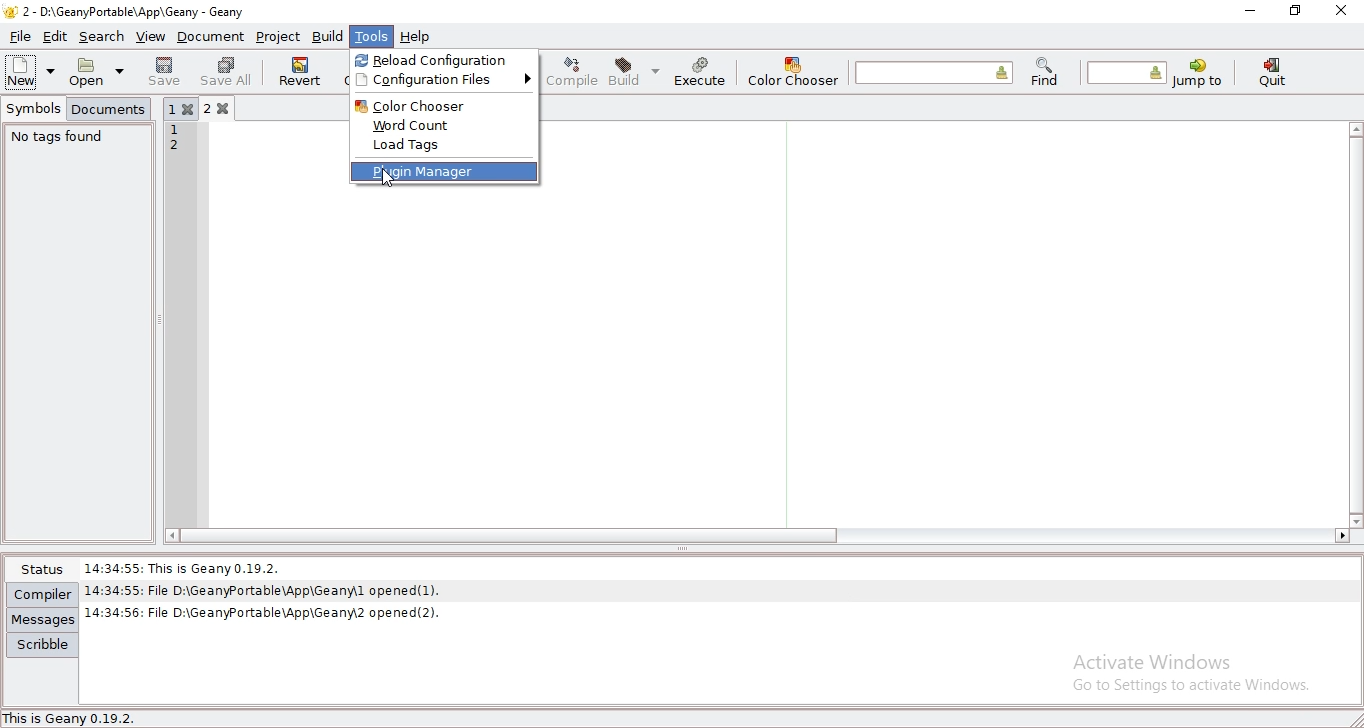 The width and height of the screenshot is (1364, 728). Describe the element at coordinates (388, 181) in the screenshot. I see `cursor` at that location.